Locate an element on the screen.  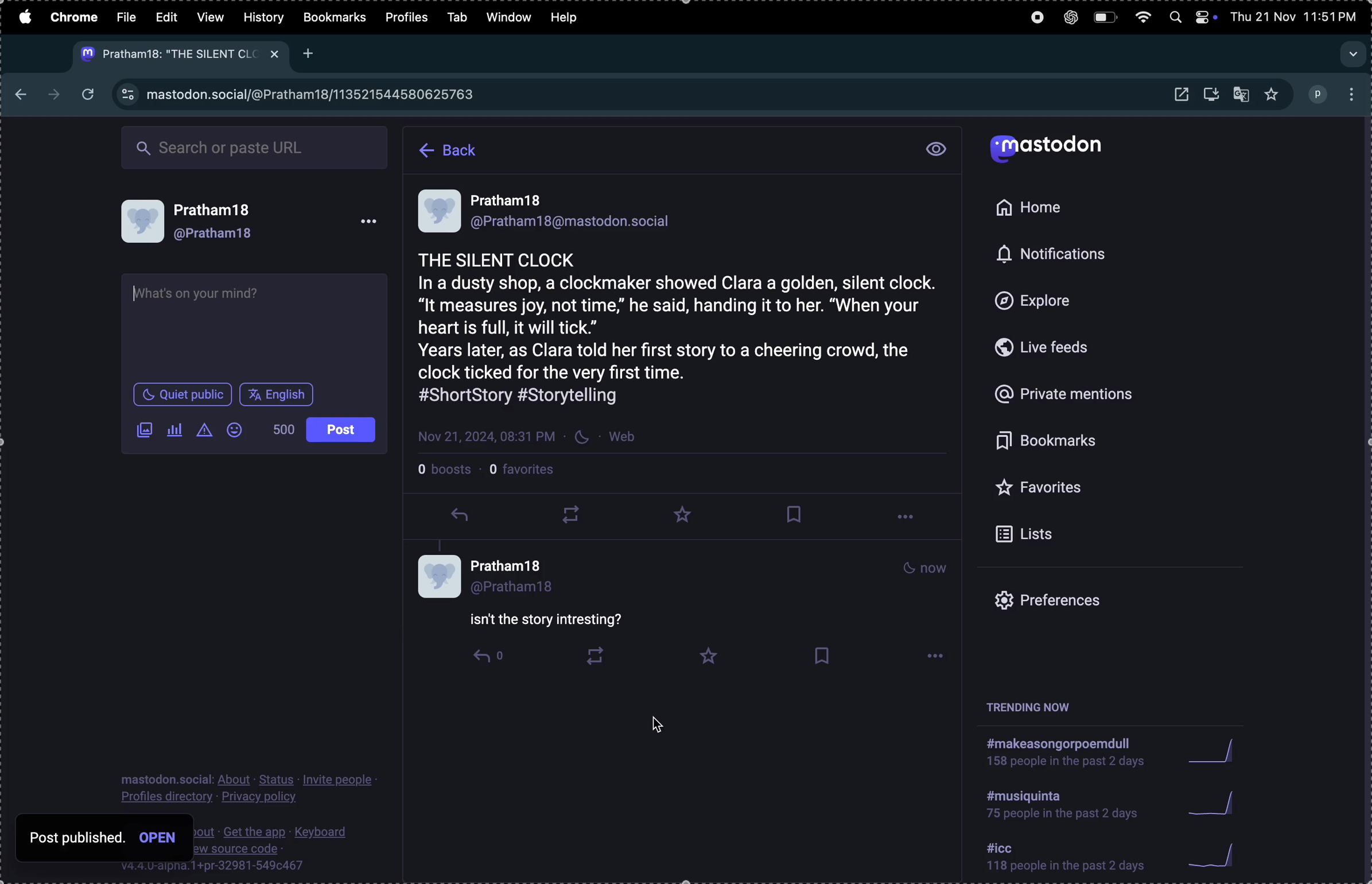
list is located at coordinates (1078, 534).